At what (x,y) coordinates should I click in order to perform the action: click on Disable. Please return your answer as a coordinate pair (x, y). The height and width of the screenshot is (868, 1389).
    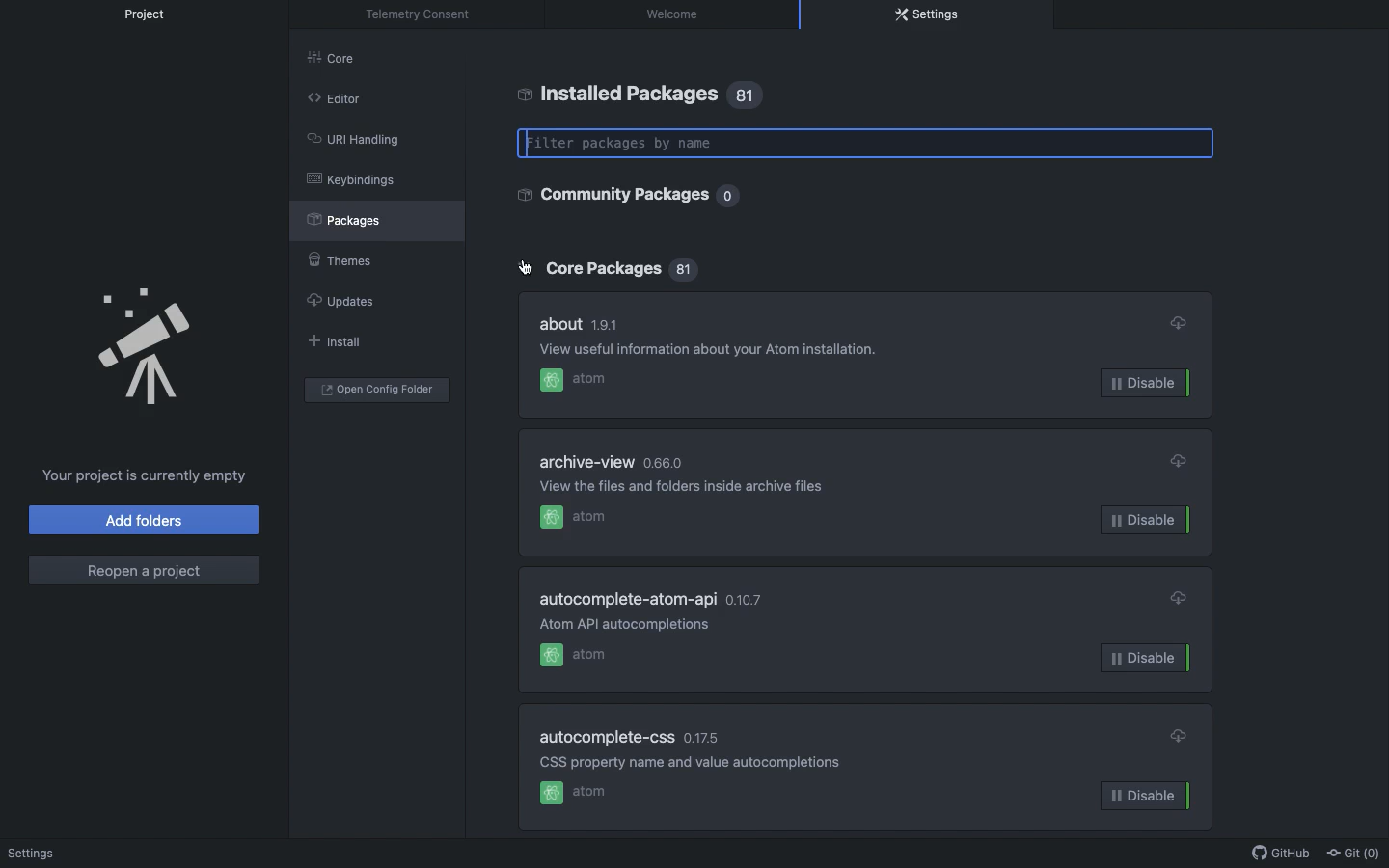
    Looking at the image, I should click on (1146, 657).